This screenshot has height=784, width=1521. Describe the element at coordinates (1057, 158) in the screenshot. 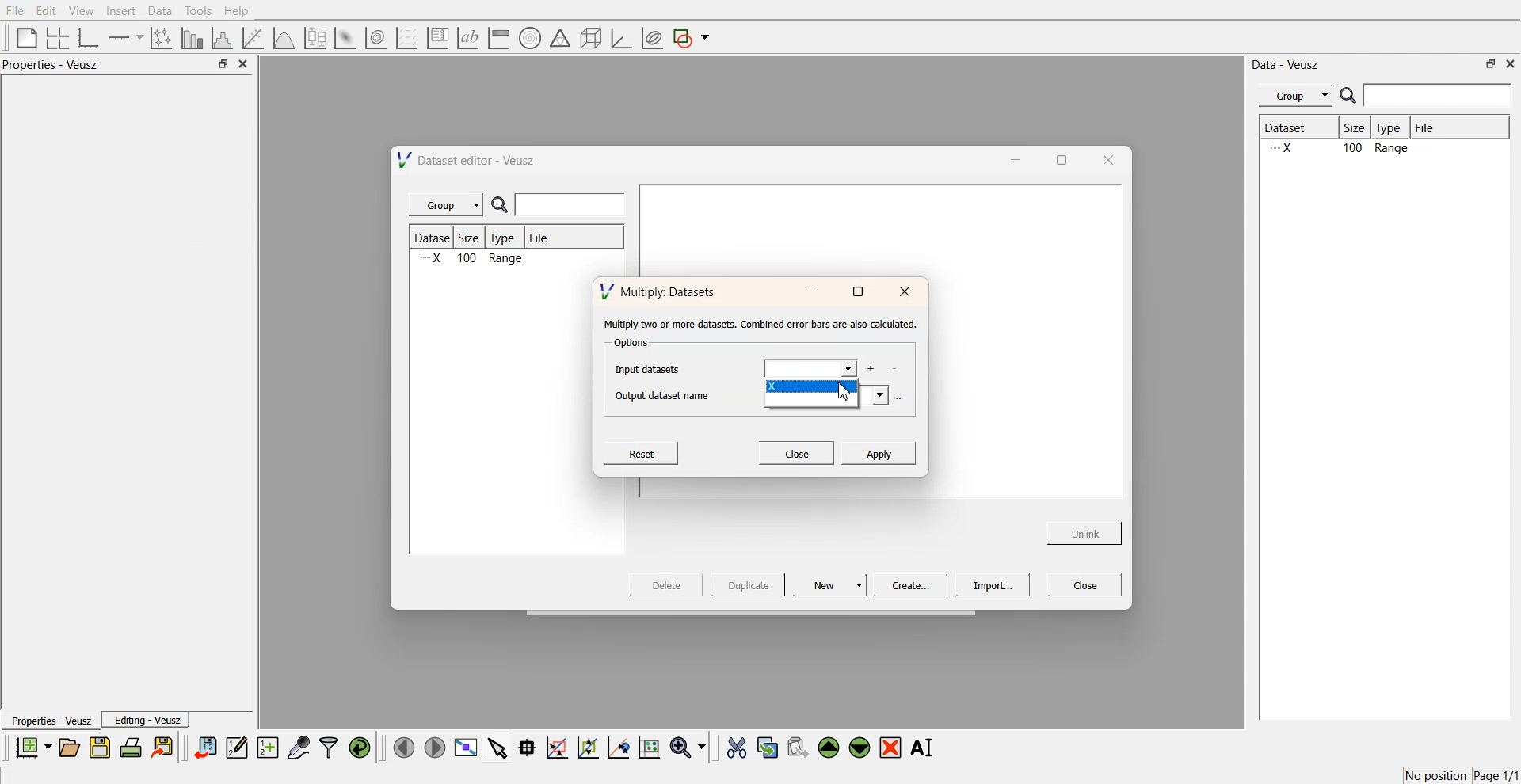

I see `maximise` at that location.